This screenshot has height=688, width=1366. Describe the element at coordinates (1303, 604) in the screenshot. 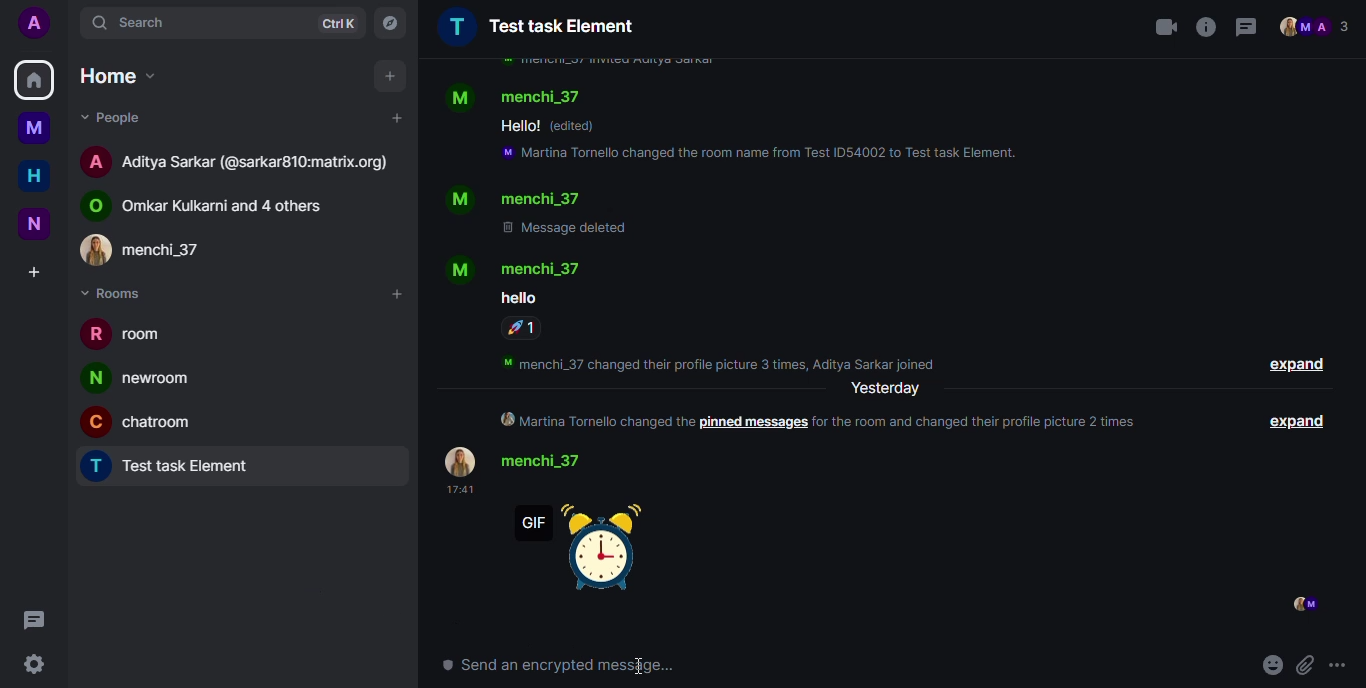

I see `seen` at that location.